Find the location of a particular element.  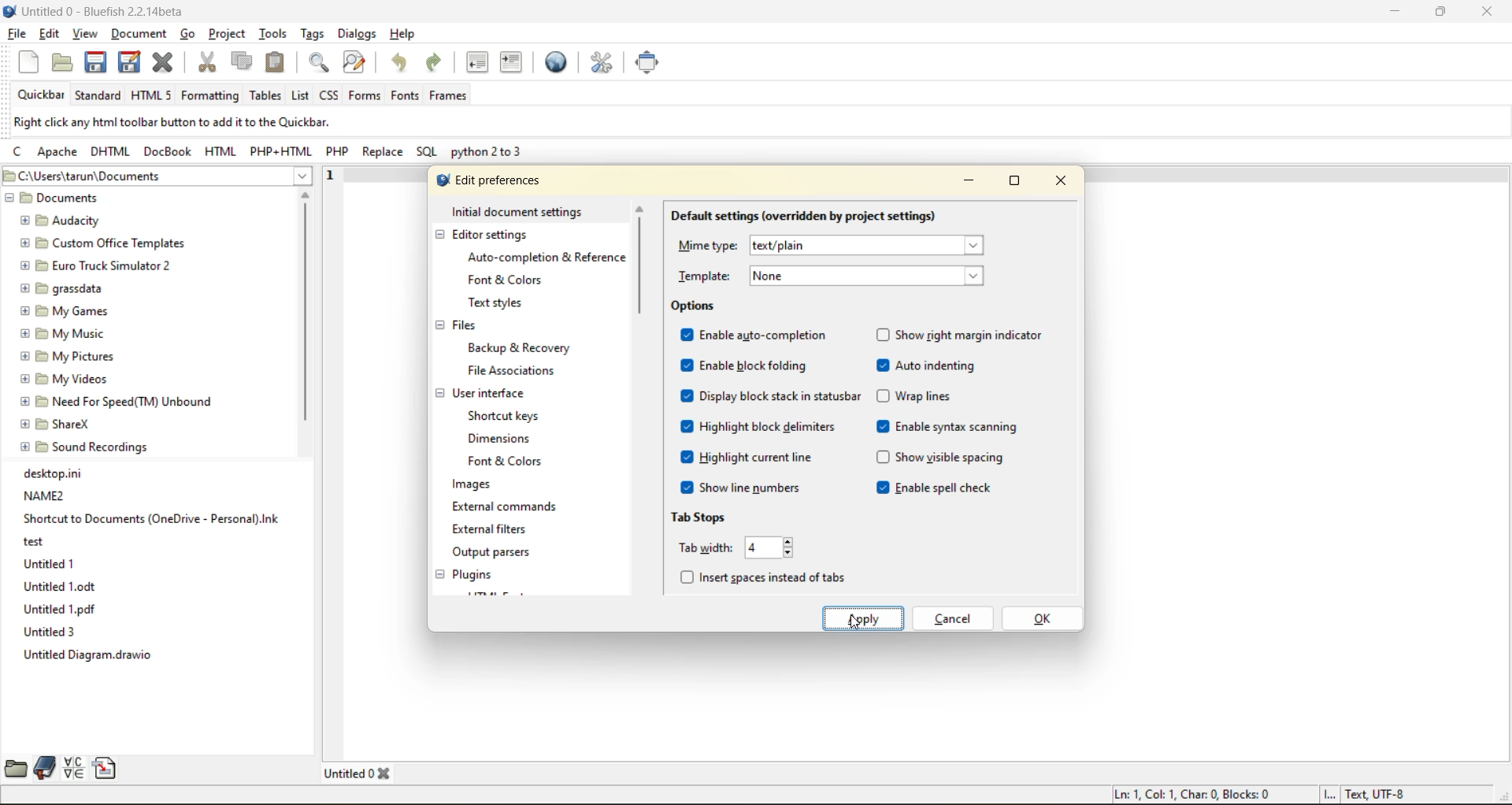

output parsers is located at coordinates (502, 554).